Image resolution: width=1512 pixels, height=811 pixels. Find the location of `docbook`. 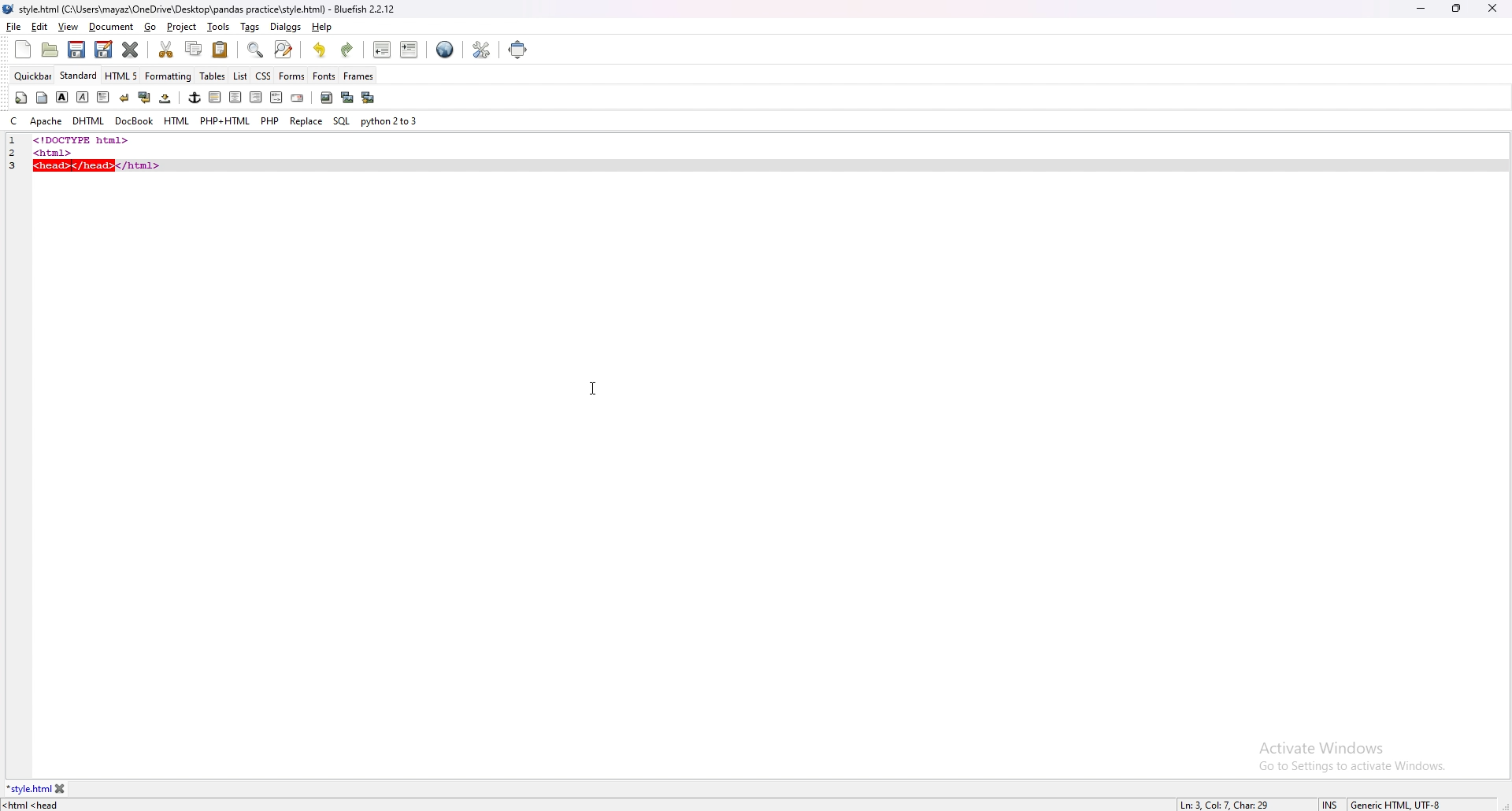

docbook is located at coordinates (134, 121).